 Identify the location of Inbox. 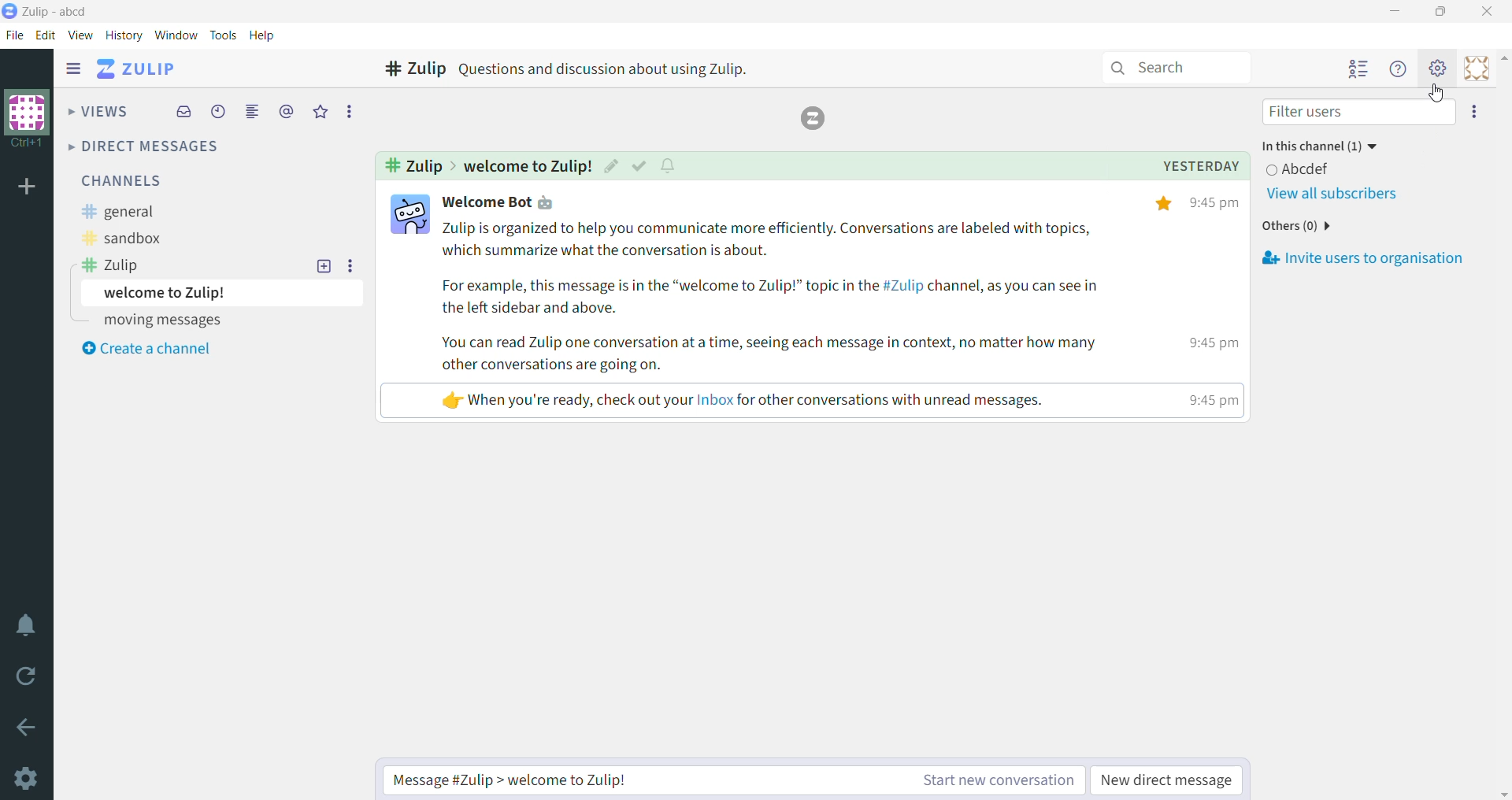
(183, 112).